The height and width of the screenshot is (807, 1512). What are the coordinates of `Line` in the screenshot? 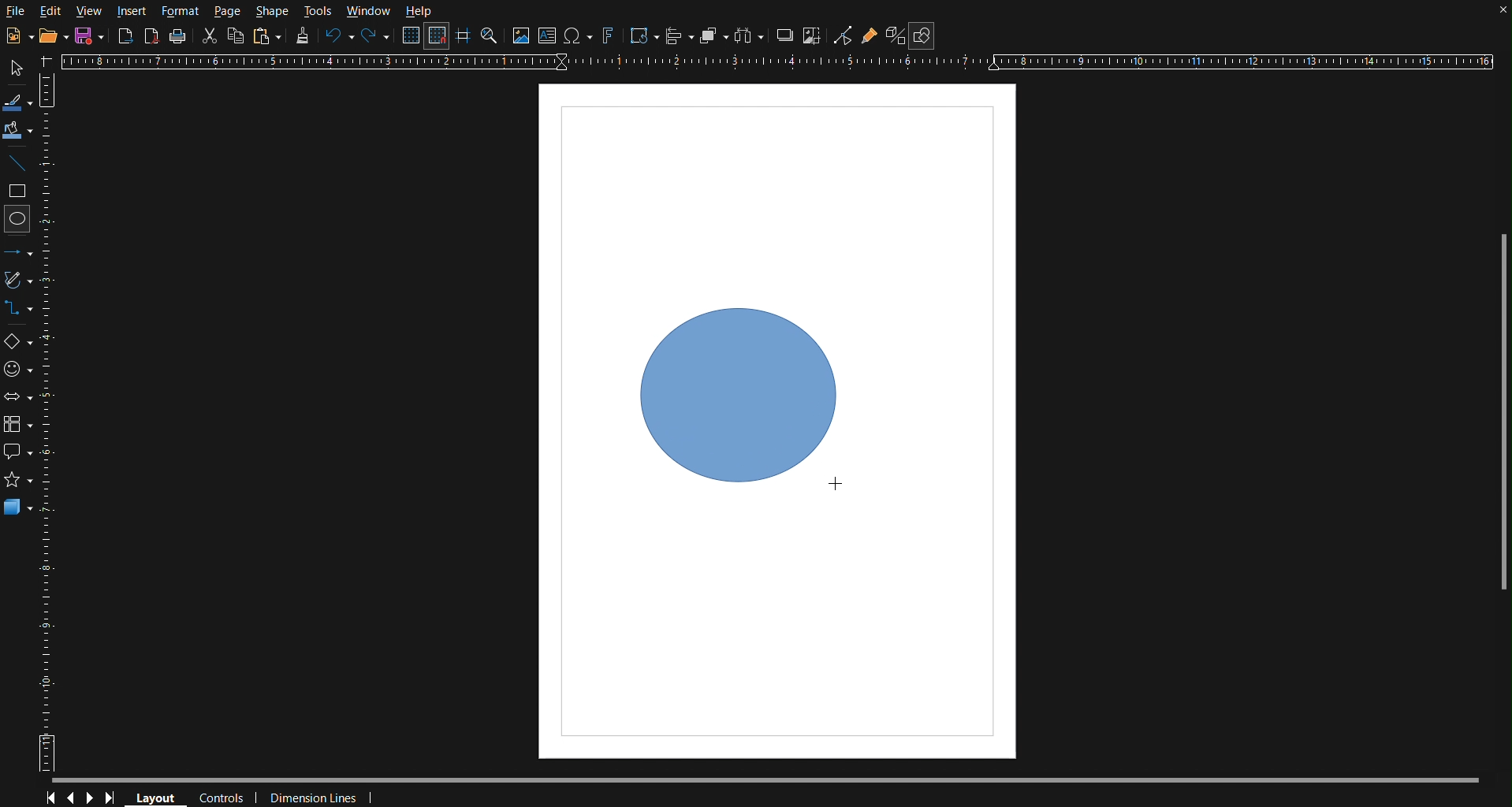 It's located at (20, 164).